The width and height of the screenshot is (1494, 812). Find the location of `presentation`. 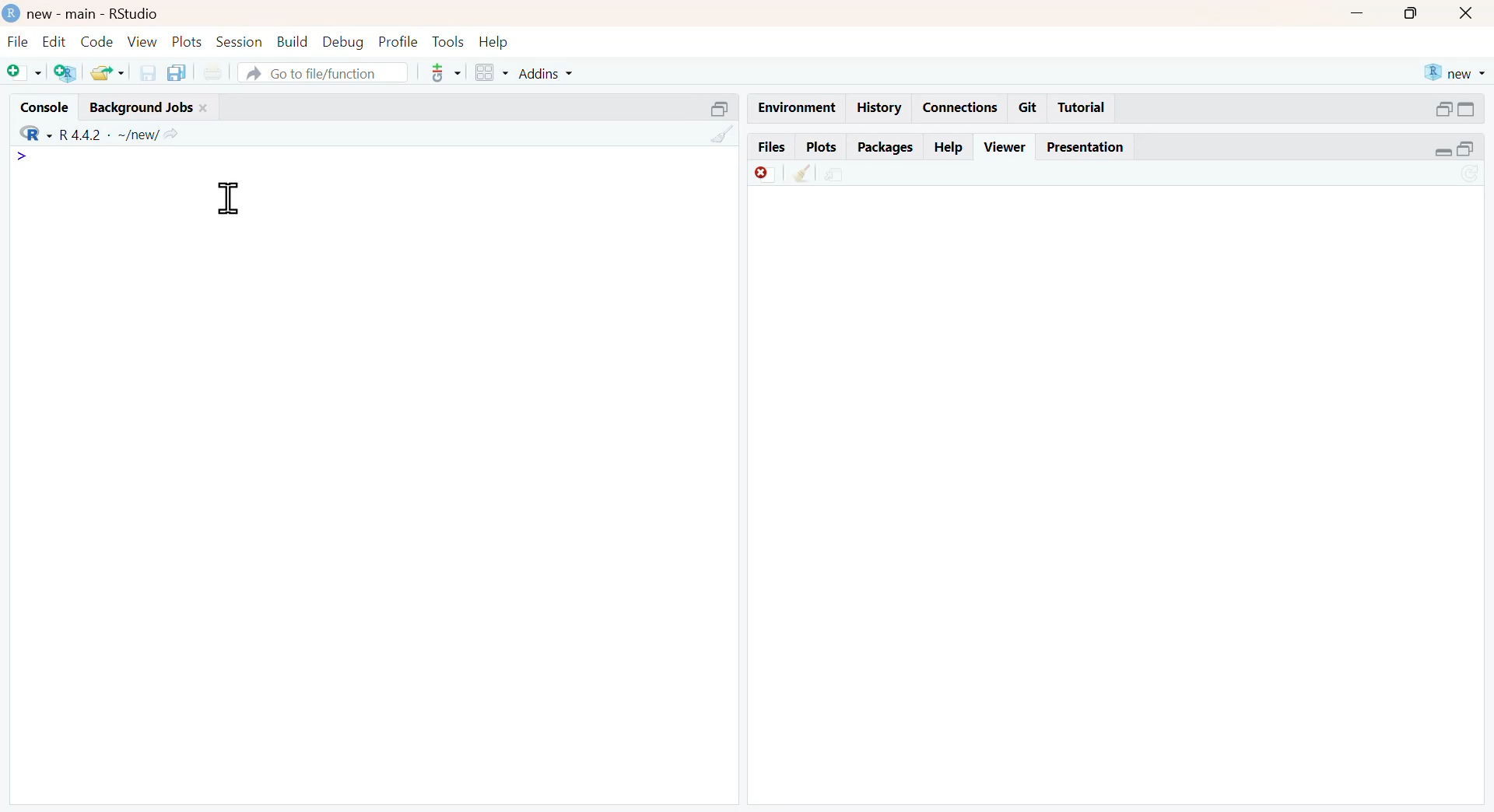

presentation is located at coordinates (1086, 147).